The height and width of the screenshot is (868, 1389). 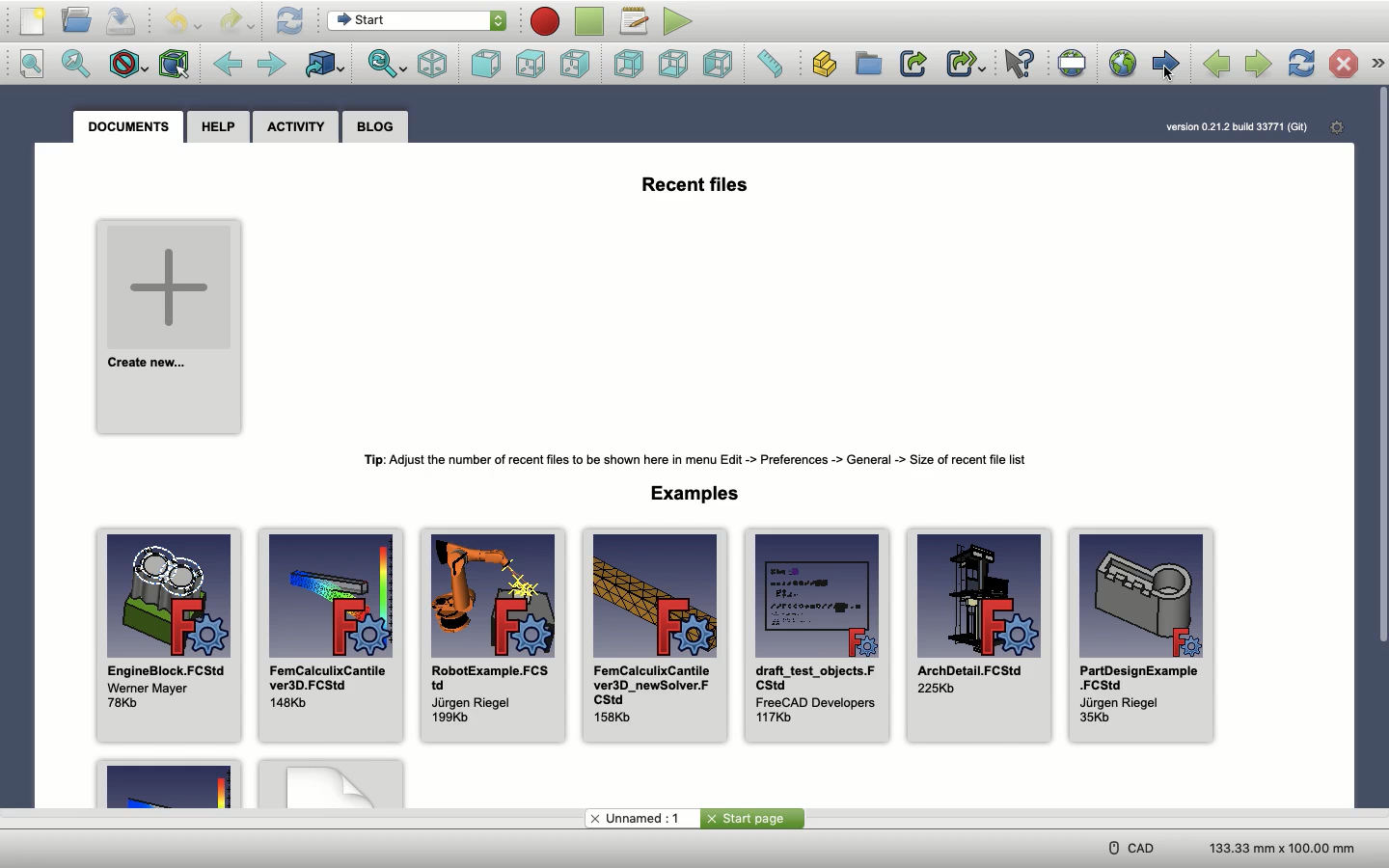 What do you see at coordinates (652, 637) in the screenshot?
I see `FemCalculixCantilever3D_newSolver.FCStd` at bounding box center [652, 637].